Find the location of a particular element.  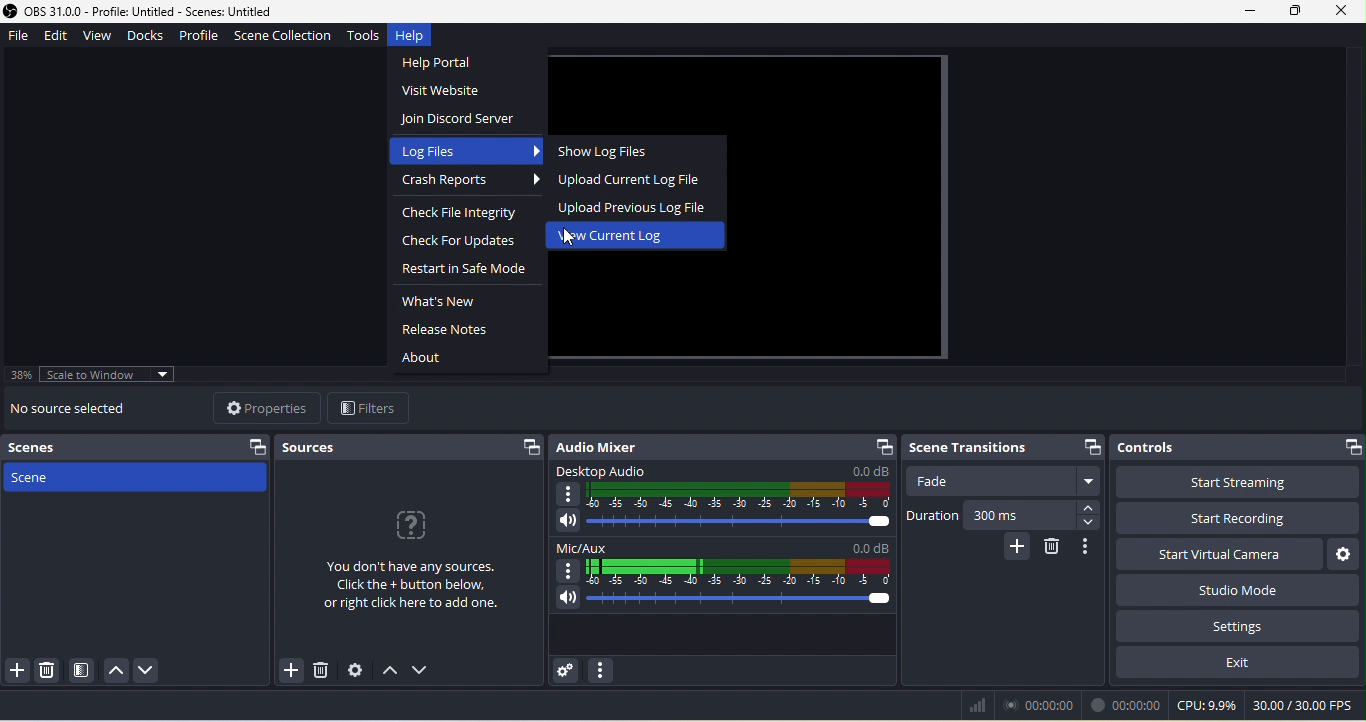

bars is located at coordinates (976, 705).